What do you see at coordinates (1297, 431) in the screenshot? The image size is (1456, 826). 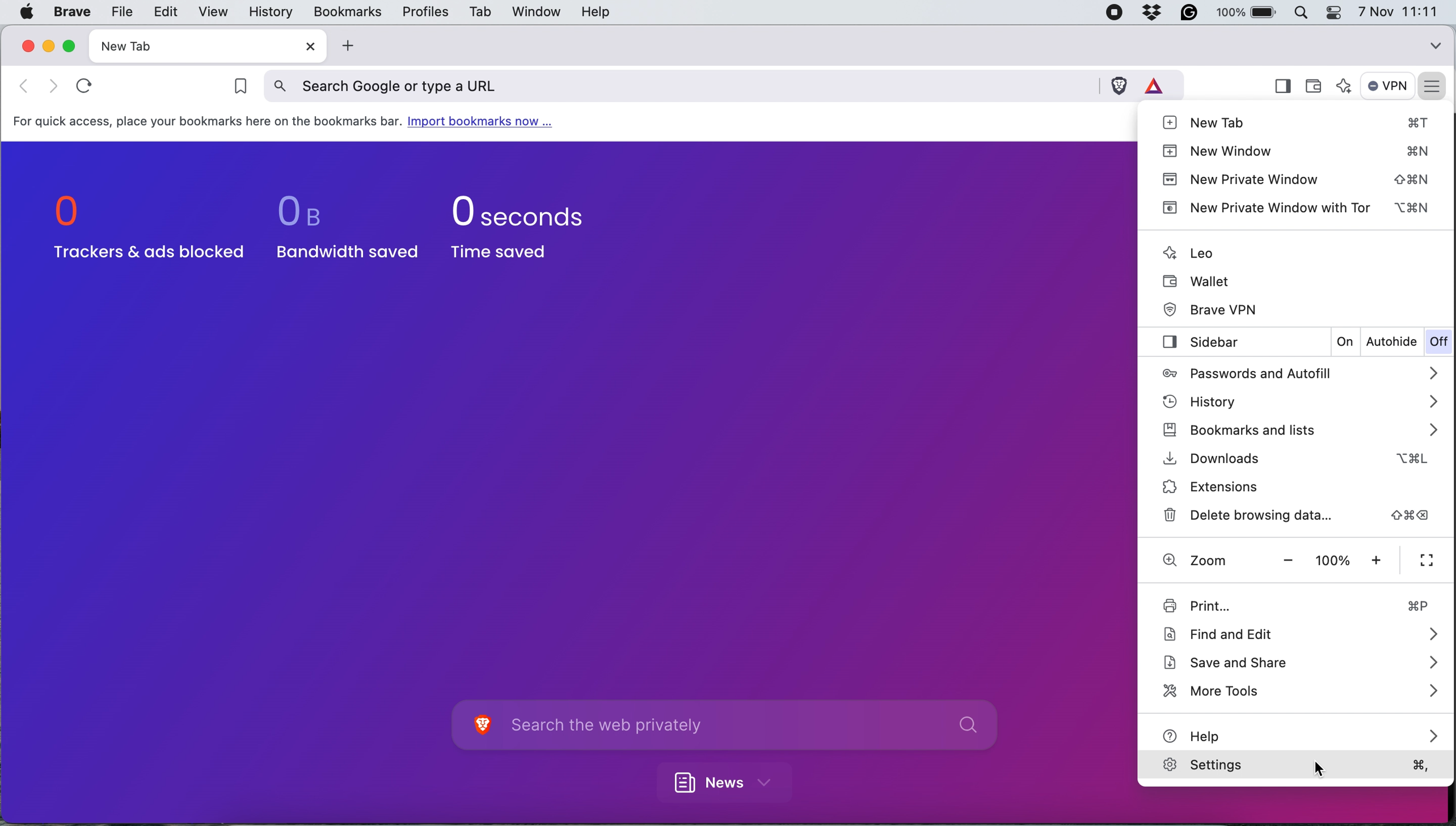 I see `bookmarks and lists` at bounding box center [1297, 431].